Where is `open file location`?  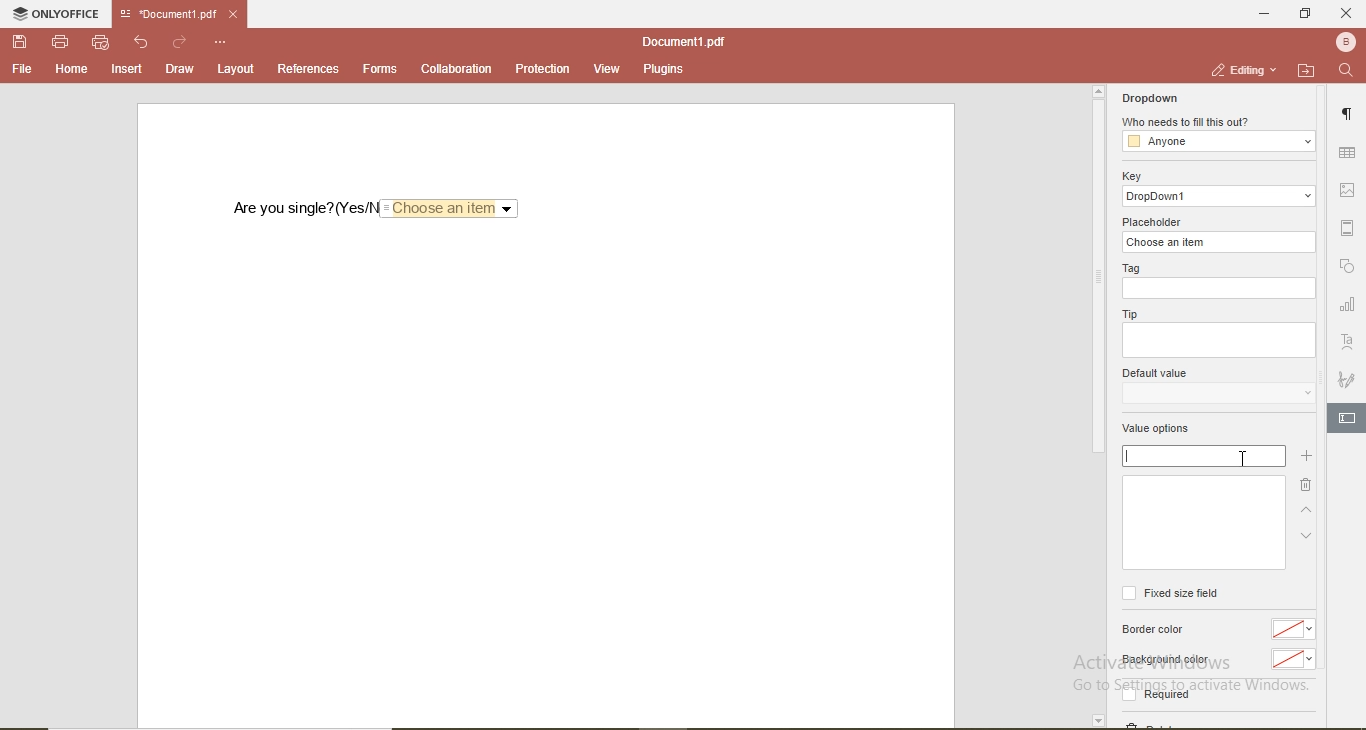
open file location is located at coordinates (1307, 71).